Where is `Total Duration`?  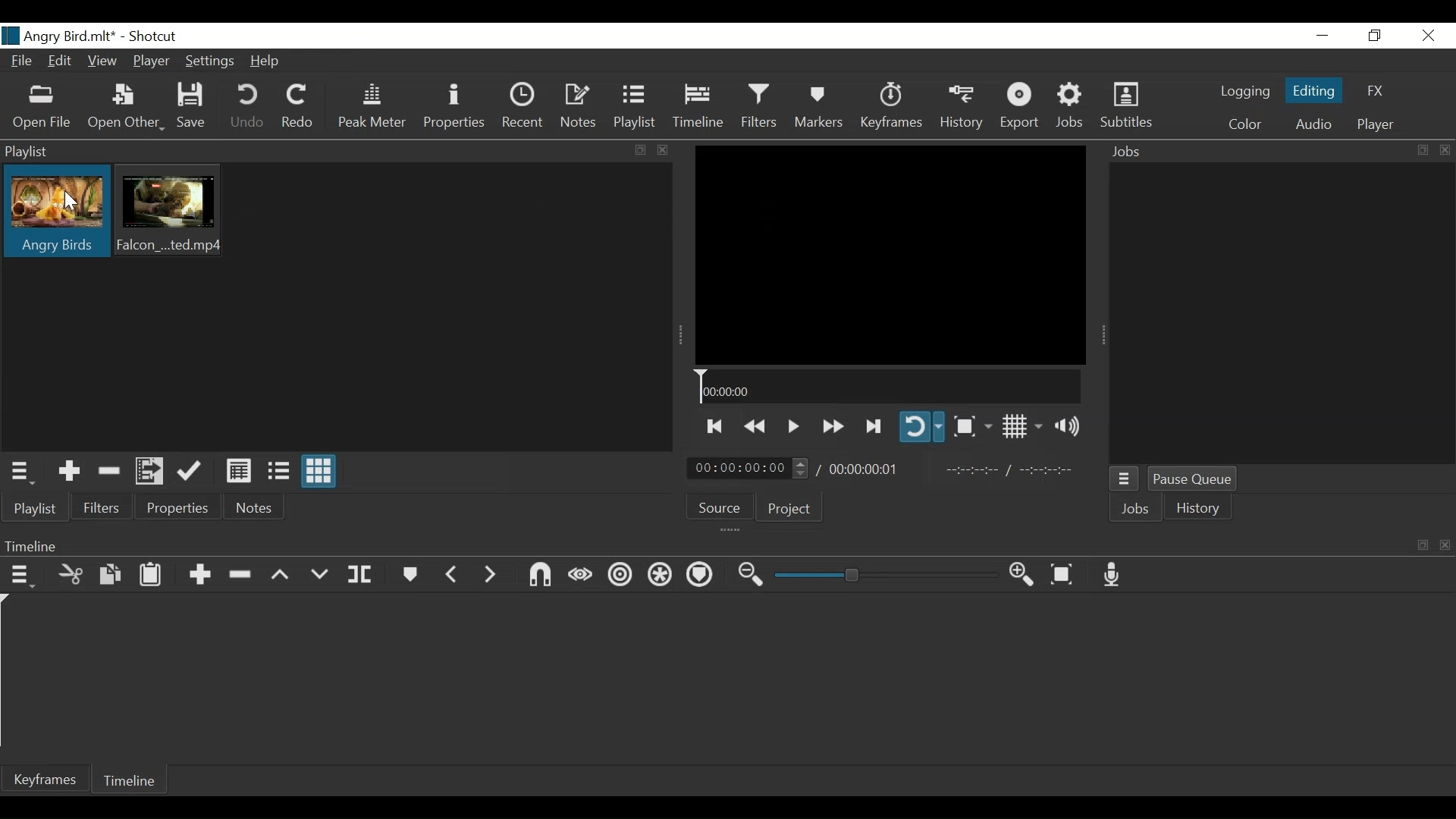
Total Duration is located at coordinates (870, 469).